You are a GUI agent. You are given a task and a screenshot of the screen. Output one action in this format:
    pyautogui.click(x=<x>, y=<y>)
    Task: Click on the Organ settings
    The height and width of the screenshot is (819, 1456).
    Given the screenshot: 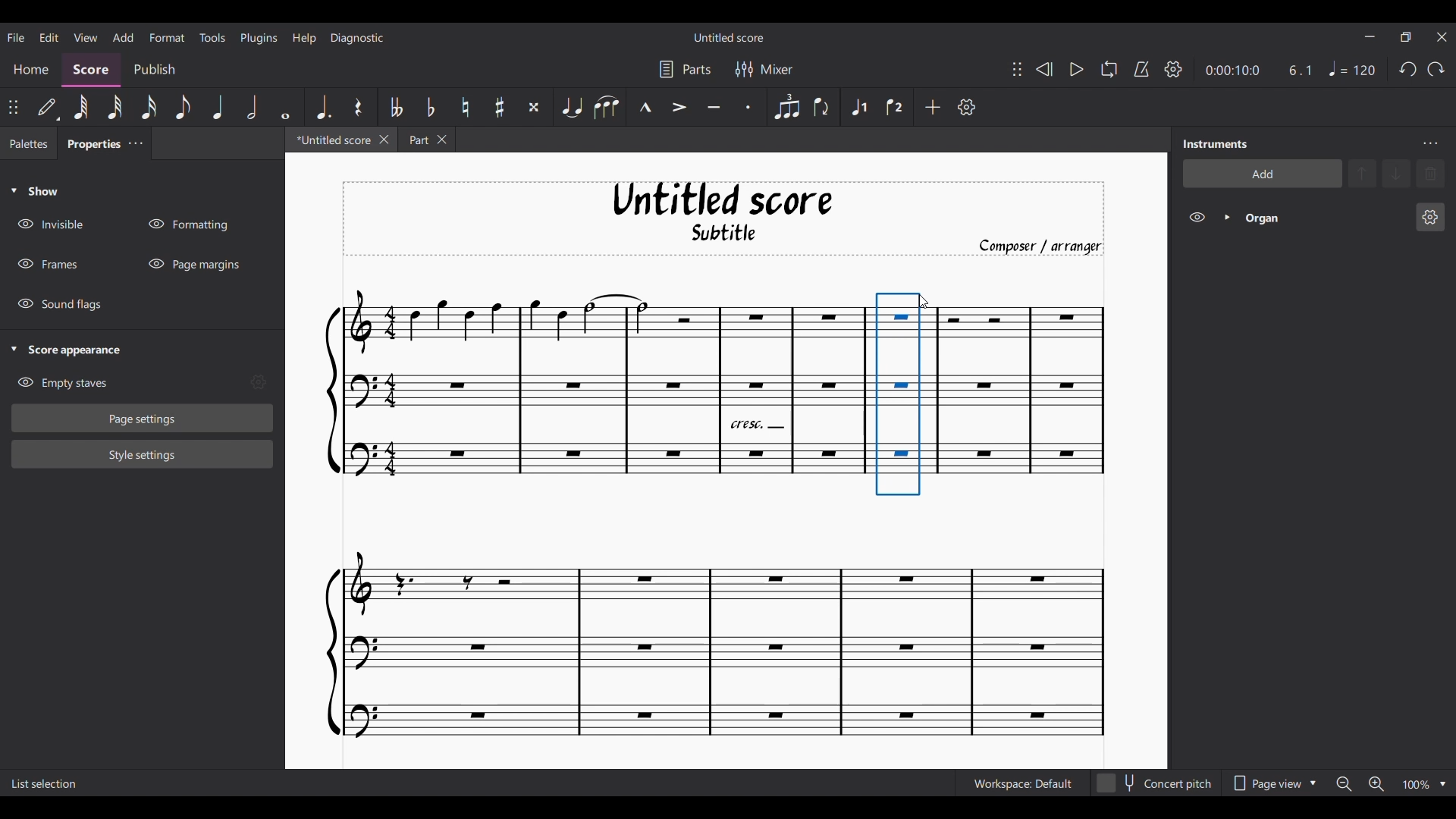 What is the action you would take?
    pyautogui.click(x=1429, y=217)
    